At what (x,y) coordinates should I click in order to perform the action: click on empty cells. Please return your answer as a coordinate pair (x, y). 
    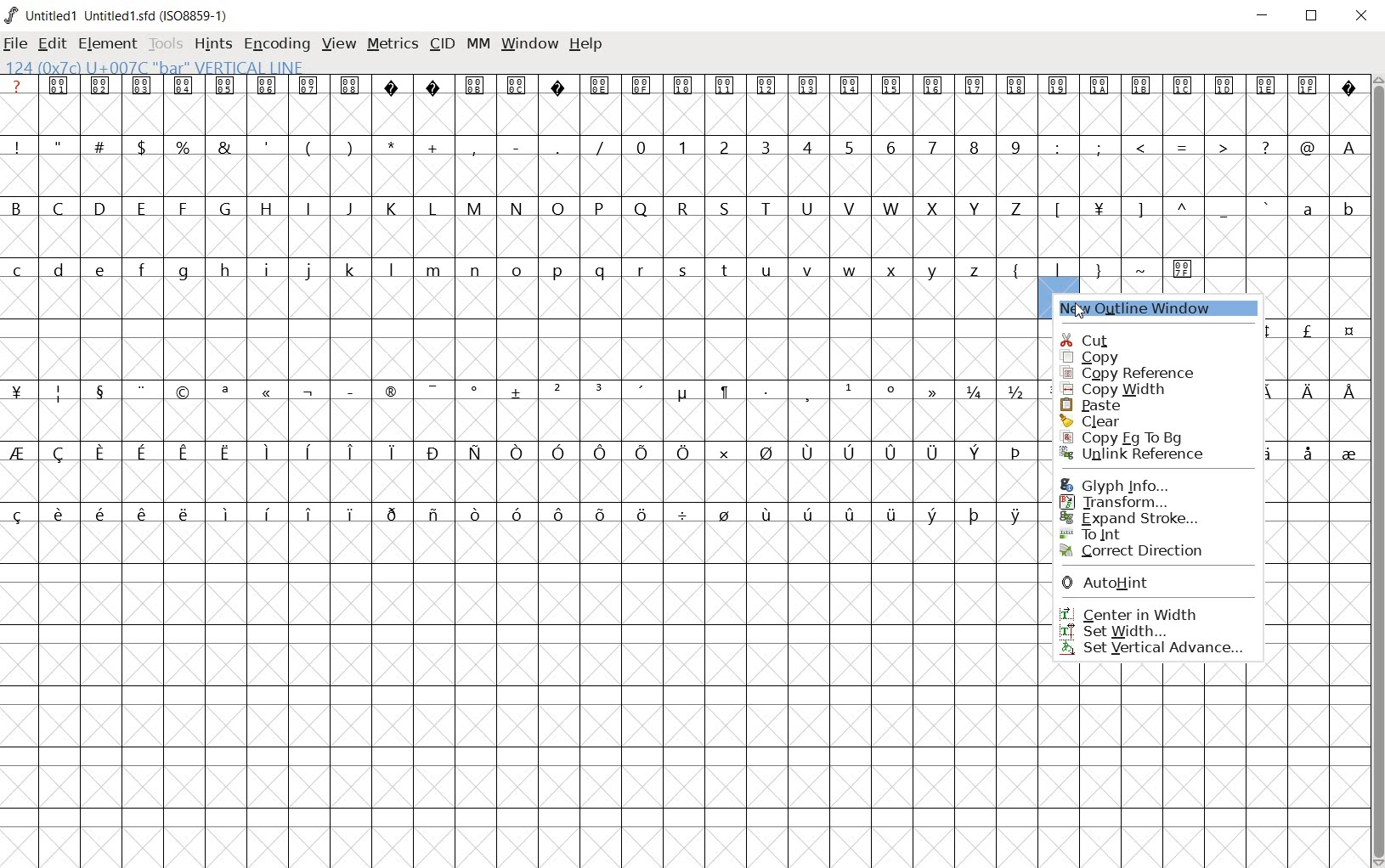
    Looking at the image, I should click on (1310, 297).